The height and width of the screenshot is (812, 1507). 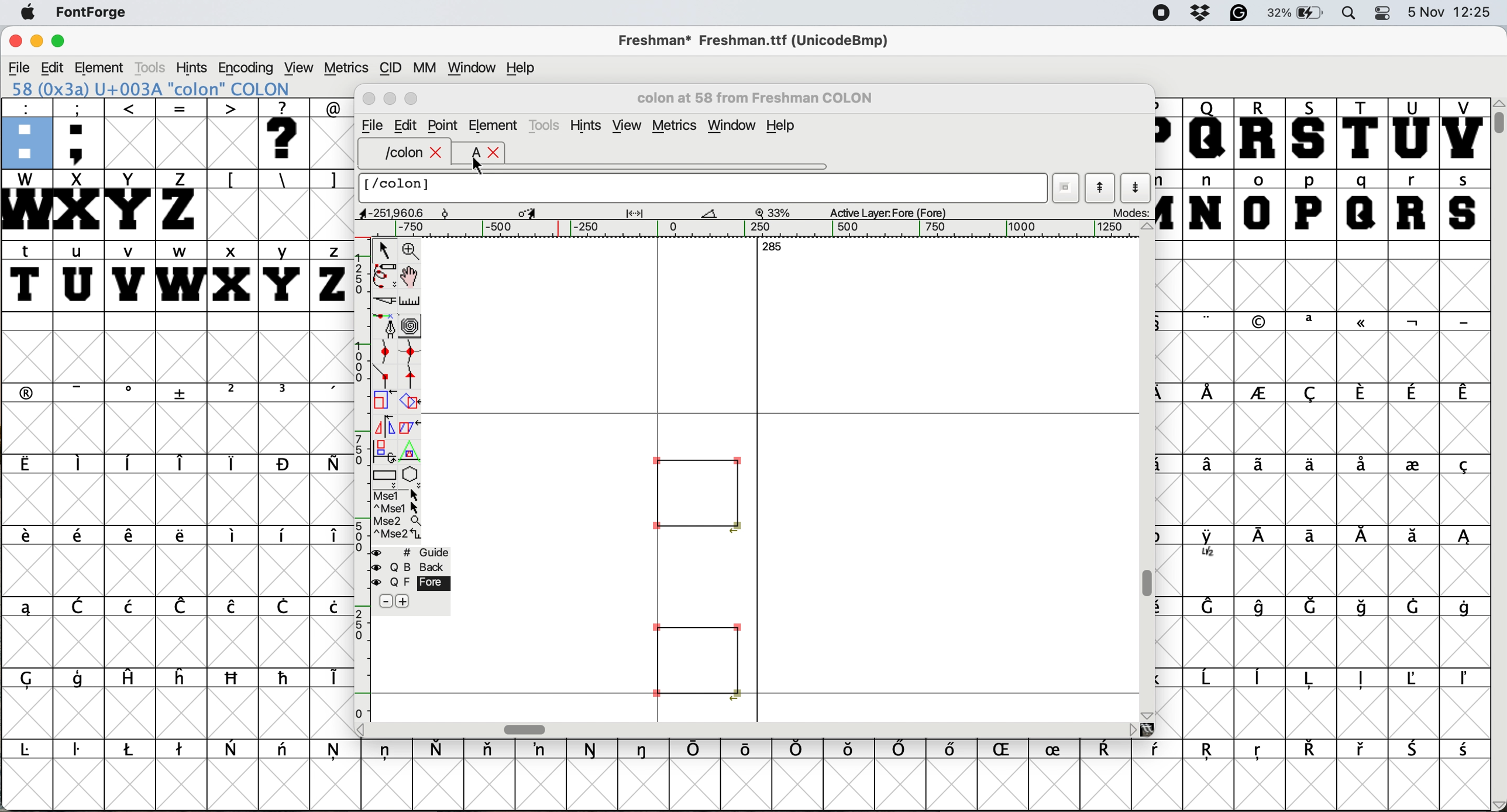 What do you see at coordinates (301, 67) in the screenshot?
I see `view` at bounding box center [301, 67].